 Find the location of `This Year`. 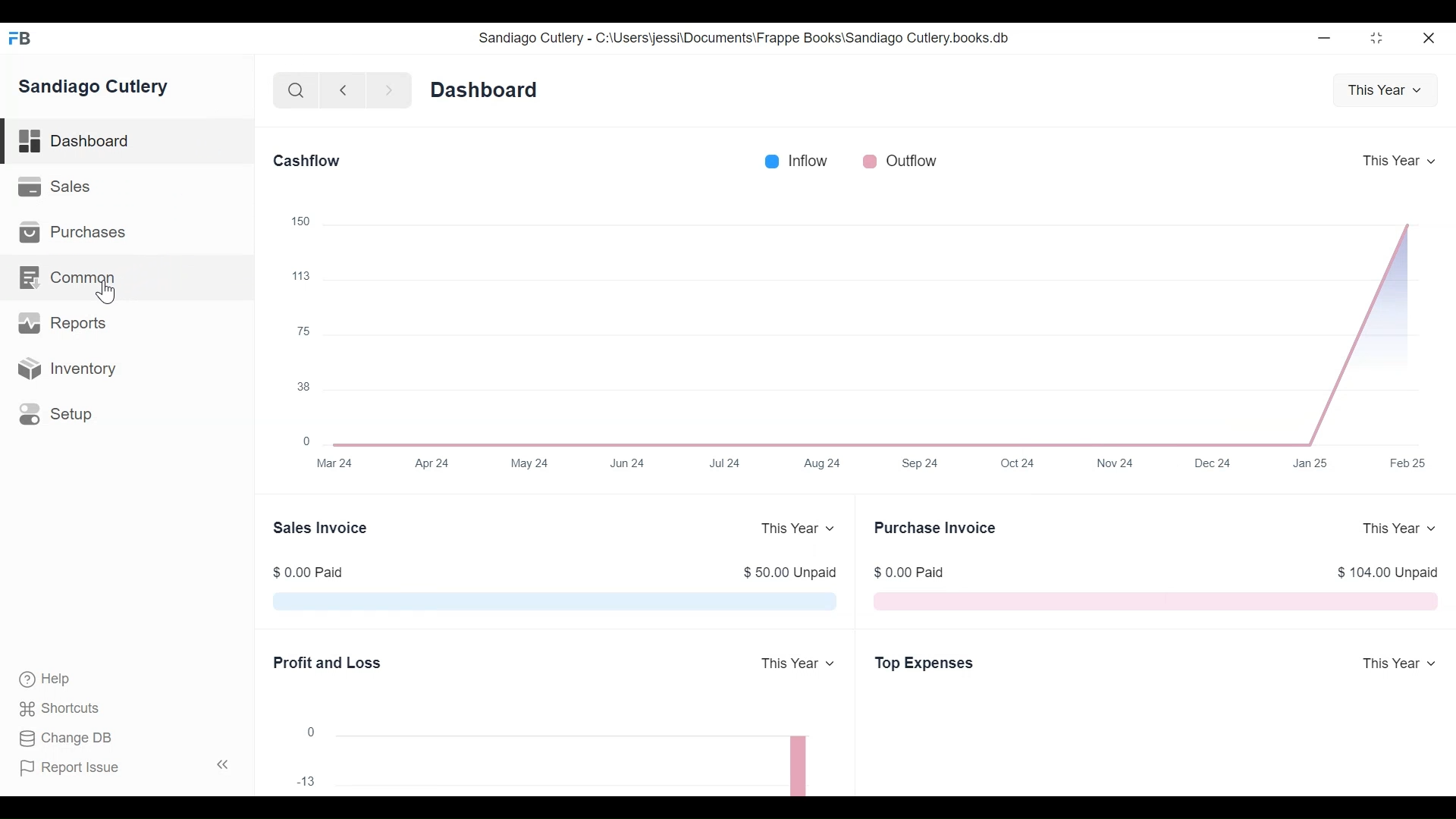

This Year is located at coordinates (1395, 529).